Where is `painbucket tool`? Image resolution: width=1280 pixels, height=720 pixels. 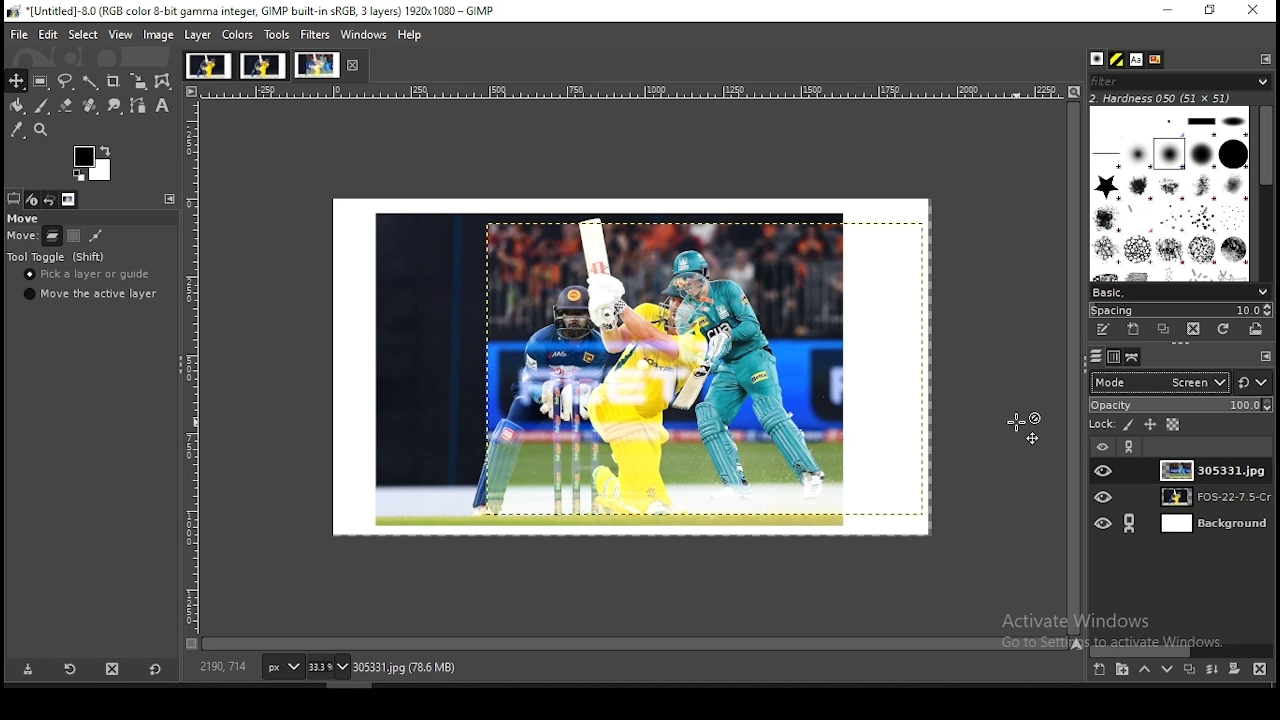
painbucket tool is located at coordinates (19, 105).